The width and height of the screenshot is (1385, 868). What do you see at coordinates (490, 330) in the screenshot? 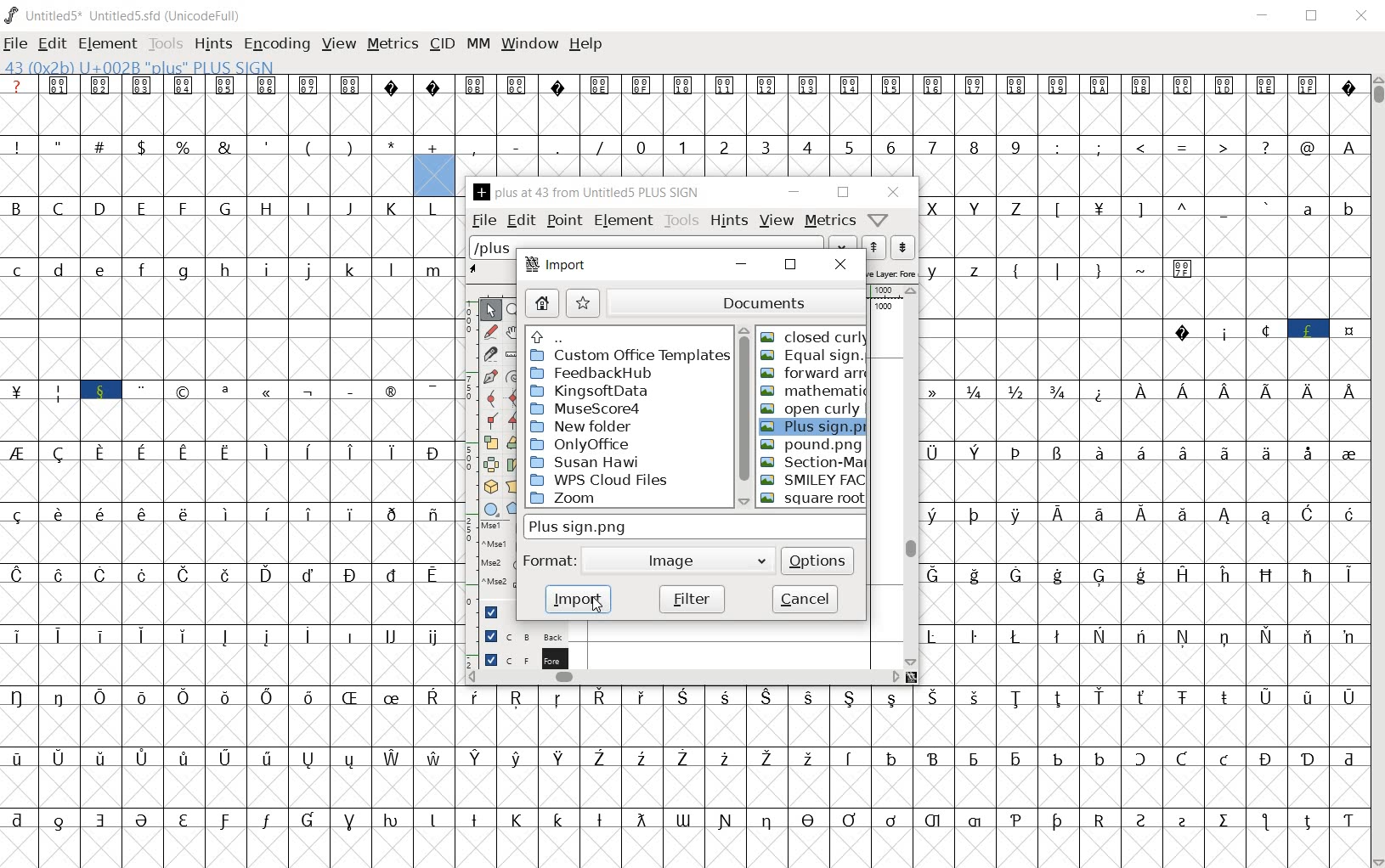
I see `draw a freehand curve` at bounding box center [490, 330].